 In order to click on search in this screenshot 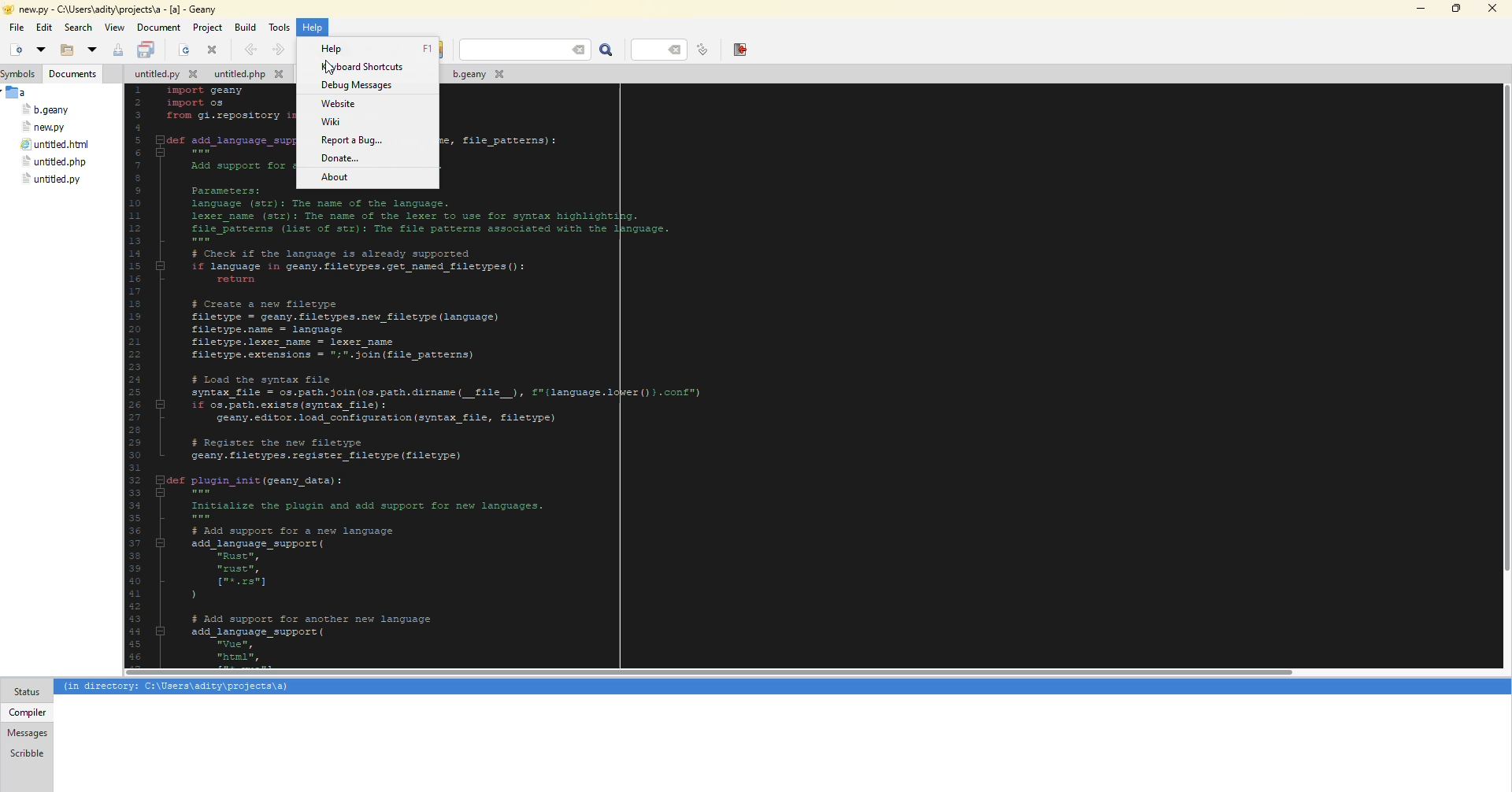, I will do `click(607, 50)`.